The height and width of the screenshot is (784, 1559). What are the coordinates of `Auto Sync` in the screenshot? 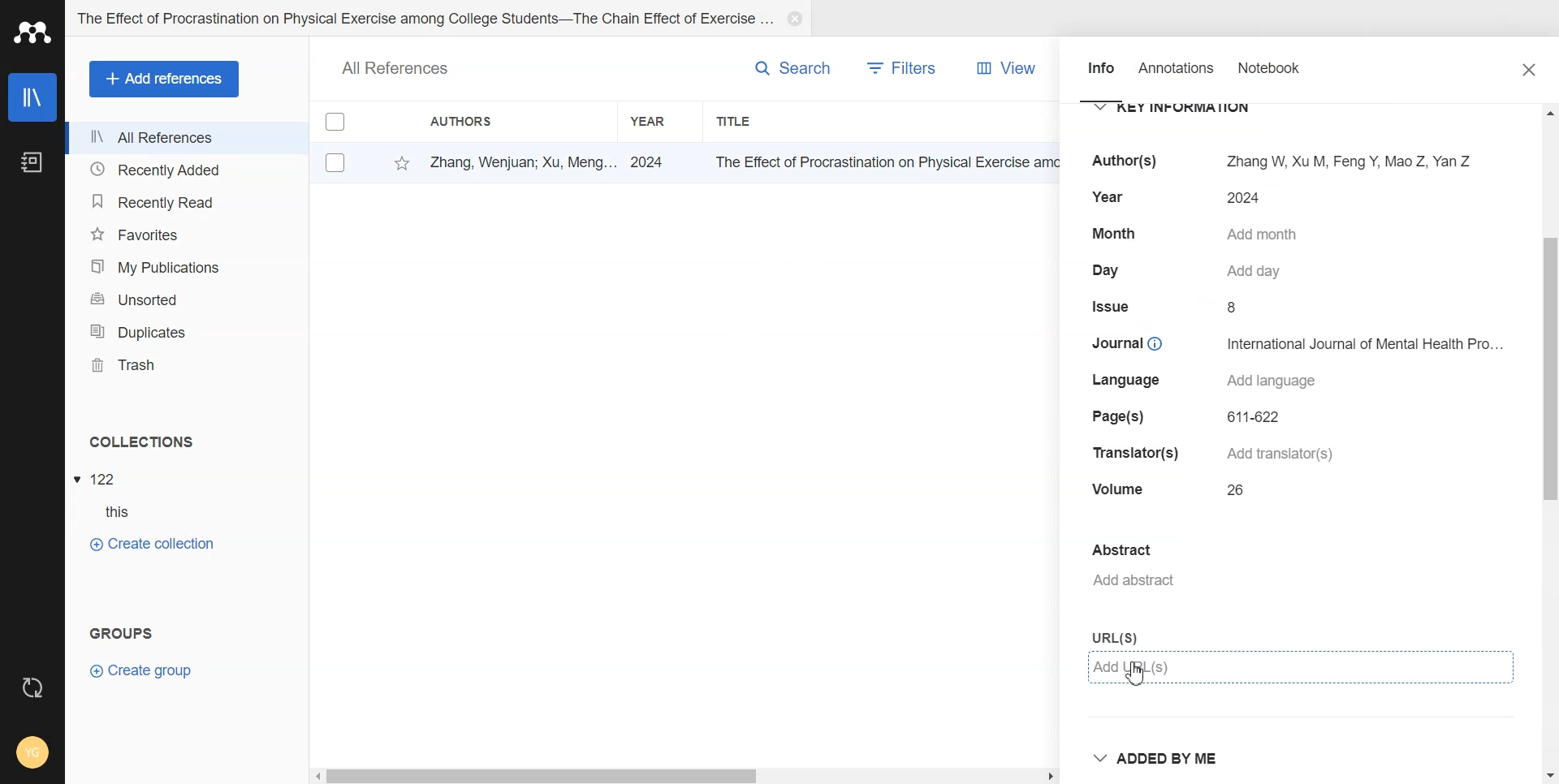 It's located at (32, 683).